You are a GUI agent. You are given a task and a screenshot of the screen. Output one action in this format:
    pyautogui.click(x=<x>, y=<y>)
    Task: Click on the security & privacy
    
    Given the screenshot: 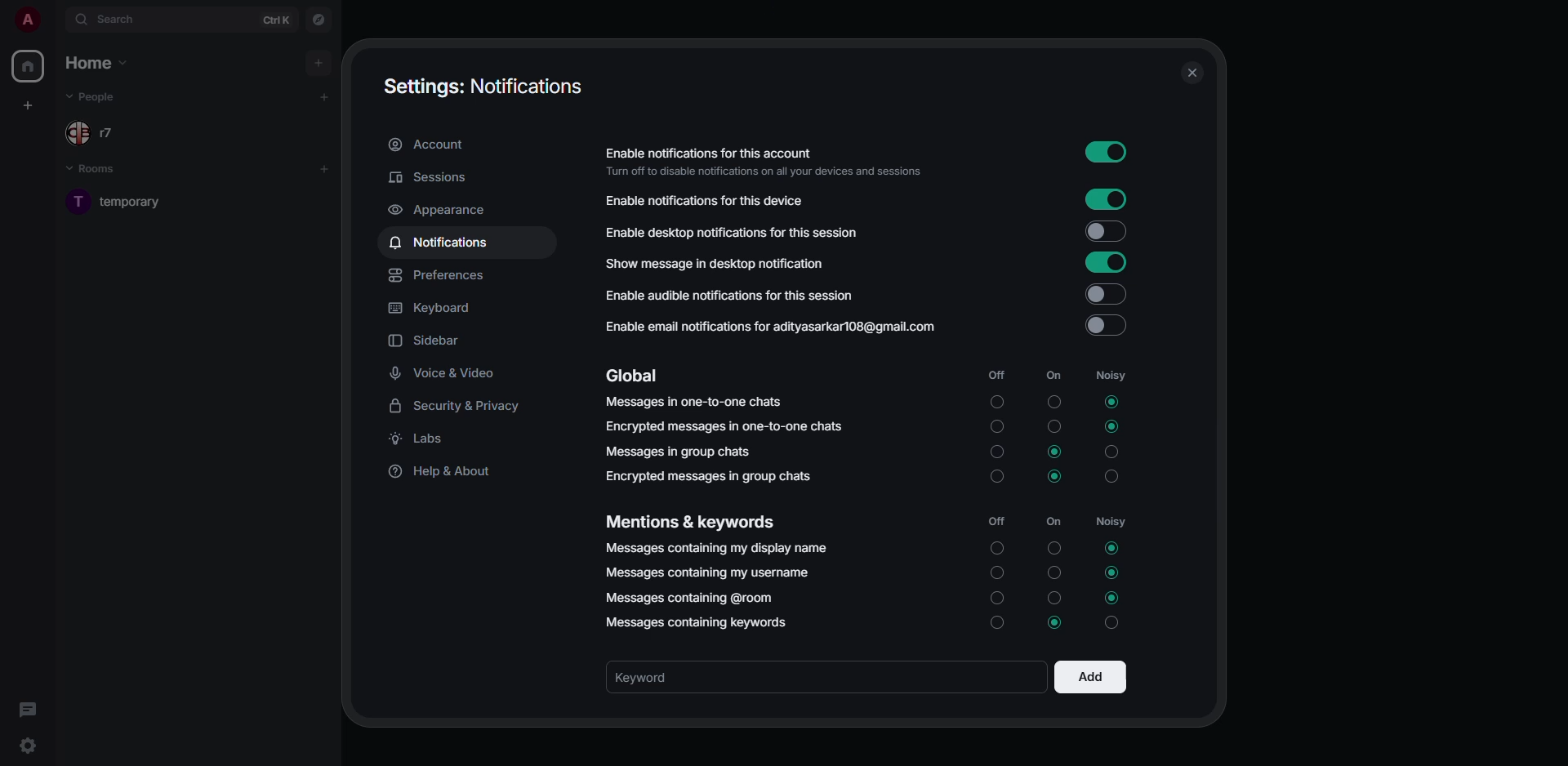 What is the action you would take?
    pyautogui.click(x=457, y=405)
    